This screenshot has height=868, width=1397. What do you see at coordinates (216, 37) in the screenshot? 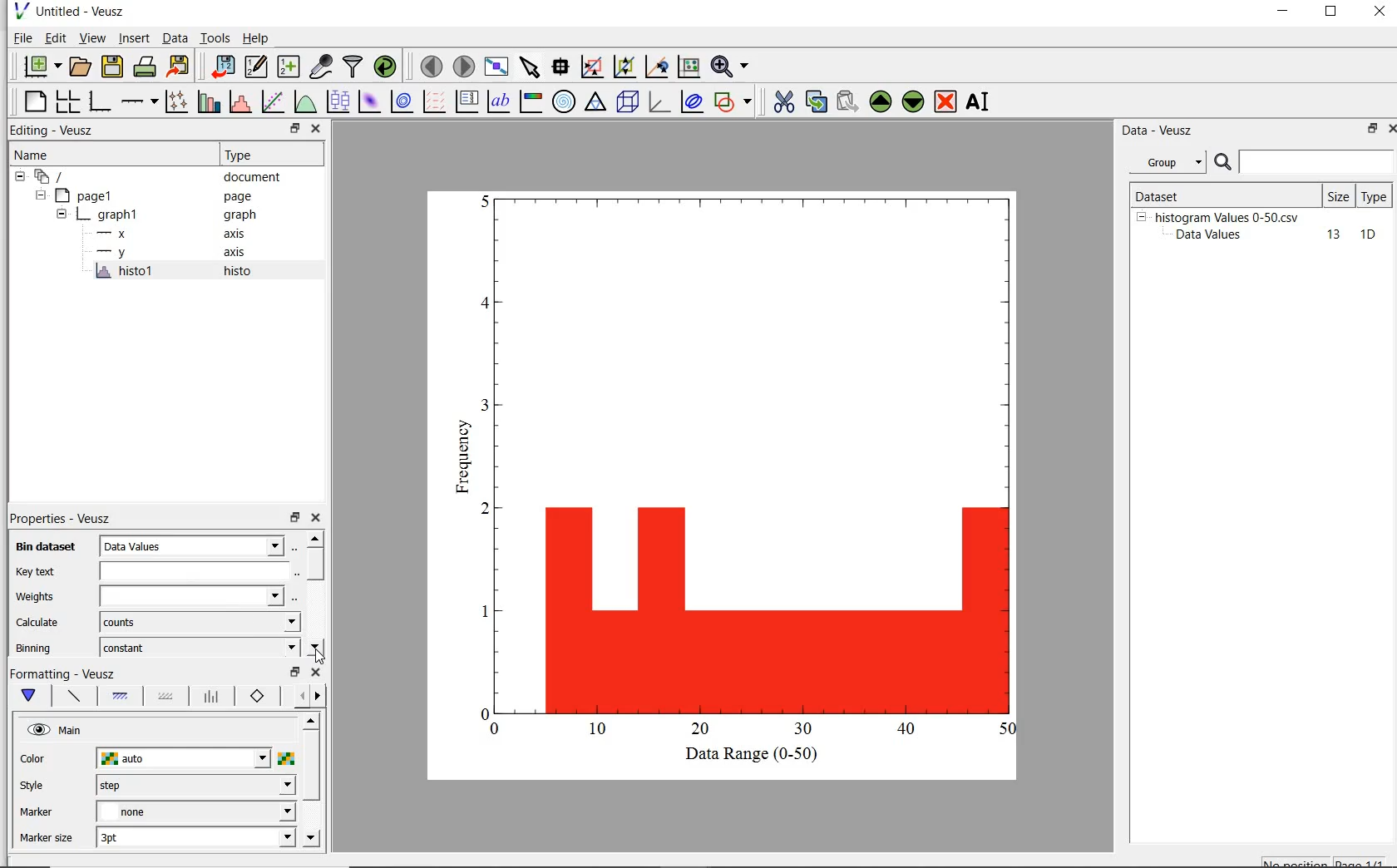
I see `tools ` at bounding box center [216, 37].